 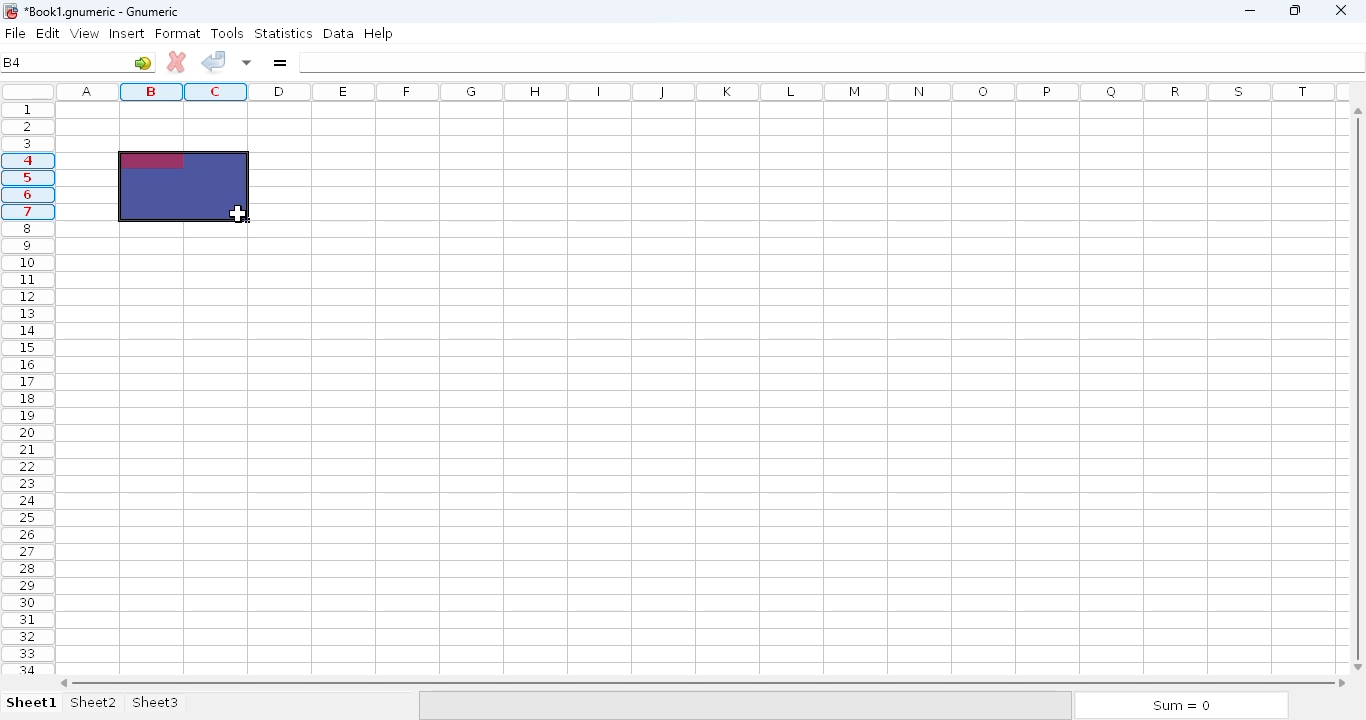 I want to click on format, so click(x=178, y=33).